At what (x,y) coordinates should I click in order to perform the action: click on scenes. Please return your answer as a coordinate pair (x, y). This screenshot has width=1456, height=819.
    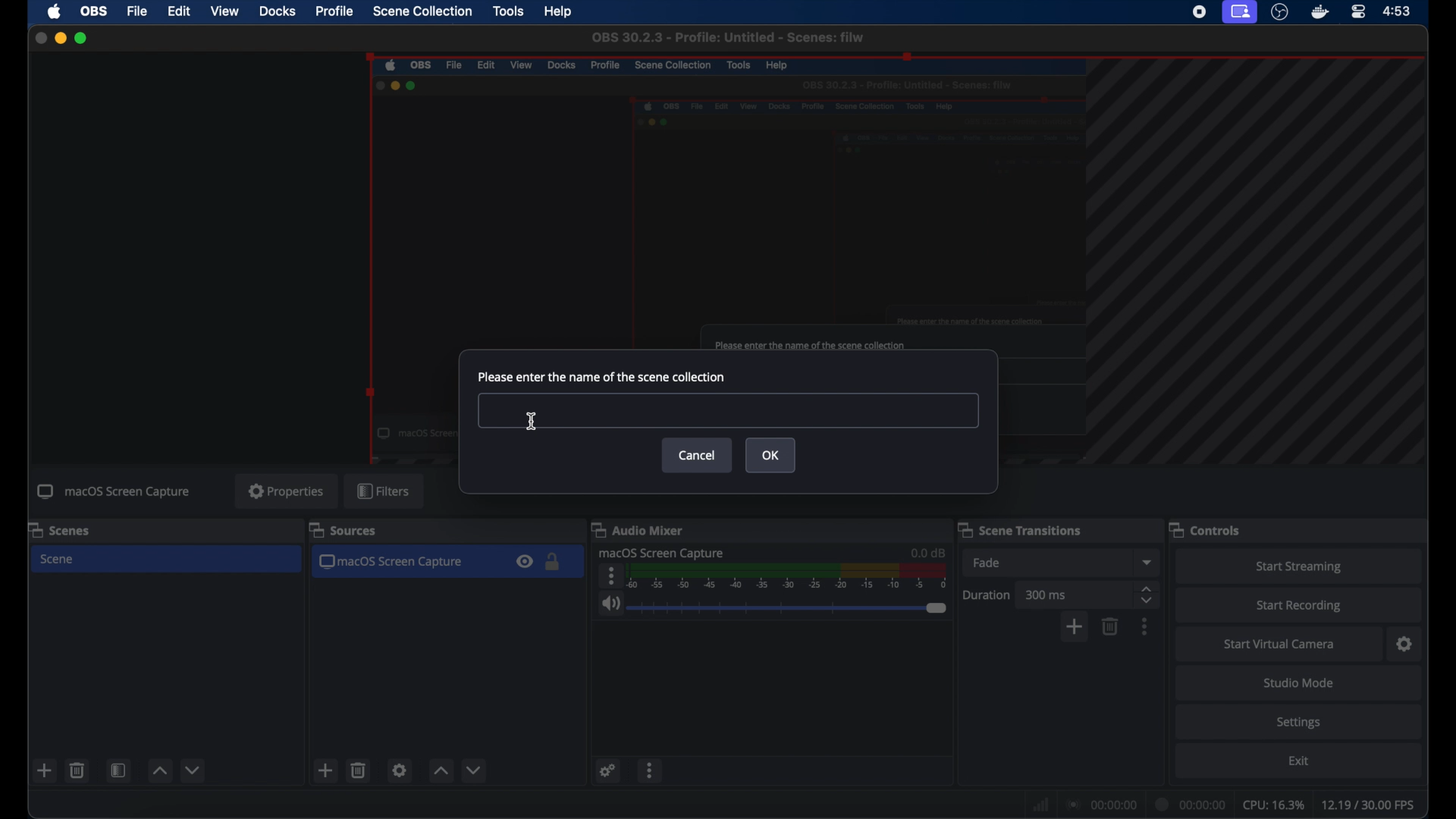
    Looking at the image, I should click on (61, 529).